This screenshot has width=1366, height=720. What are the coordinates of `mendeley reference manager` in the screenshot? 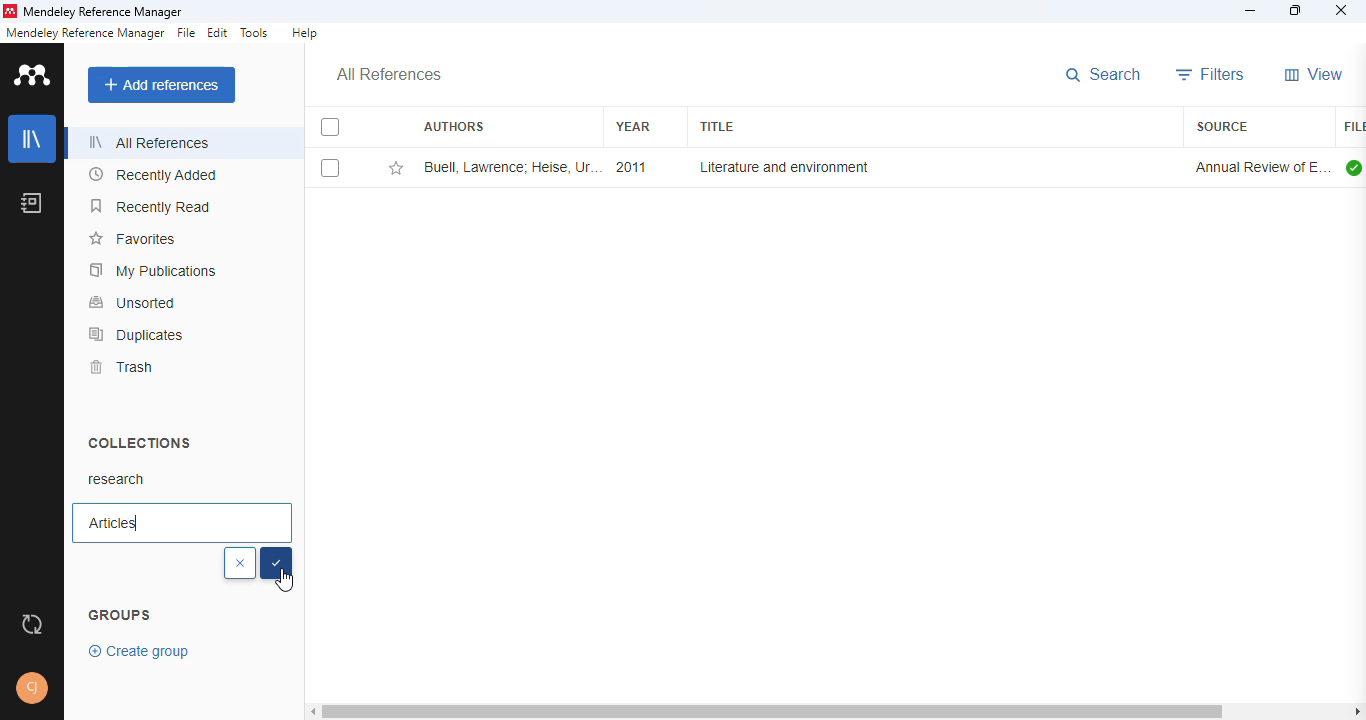 It's located at (104, 12).